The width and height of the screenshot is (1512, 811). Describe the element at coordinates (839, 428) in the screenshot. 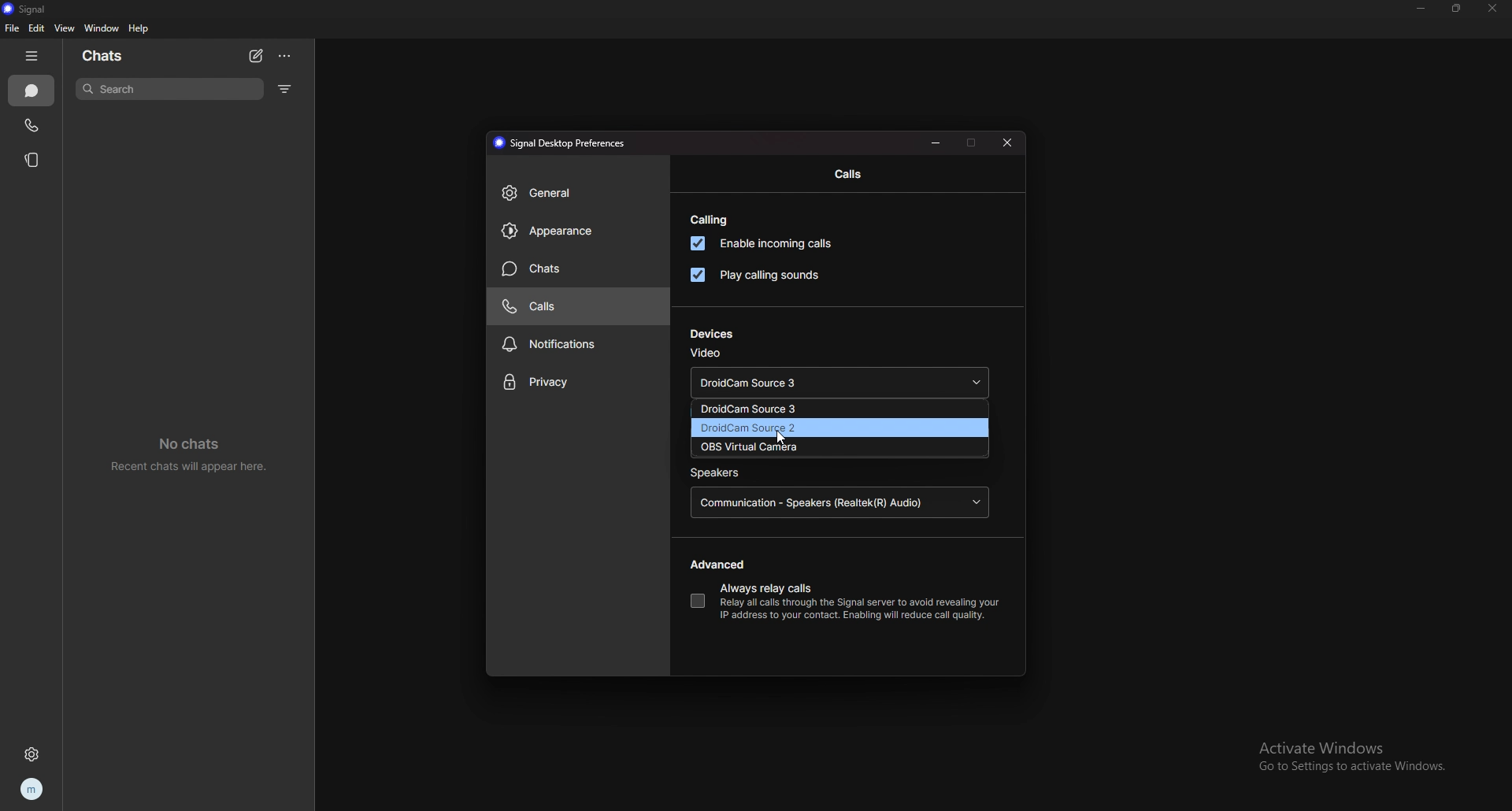

I see `source` at that location.